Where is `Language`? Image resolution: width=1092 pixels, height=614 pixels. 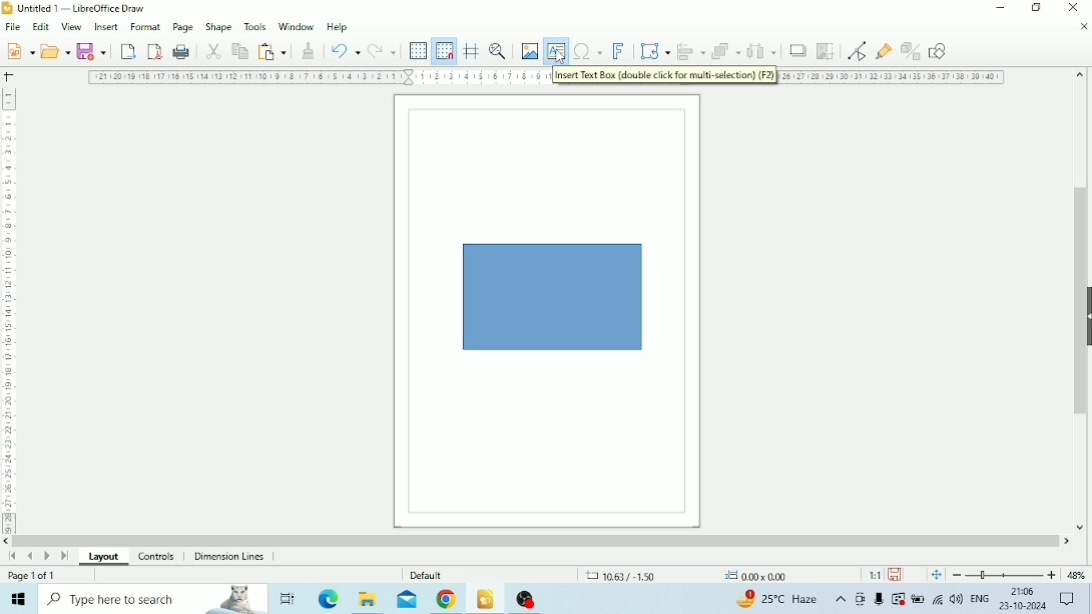
Language is located at coordinates (980, 597).